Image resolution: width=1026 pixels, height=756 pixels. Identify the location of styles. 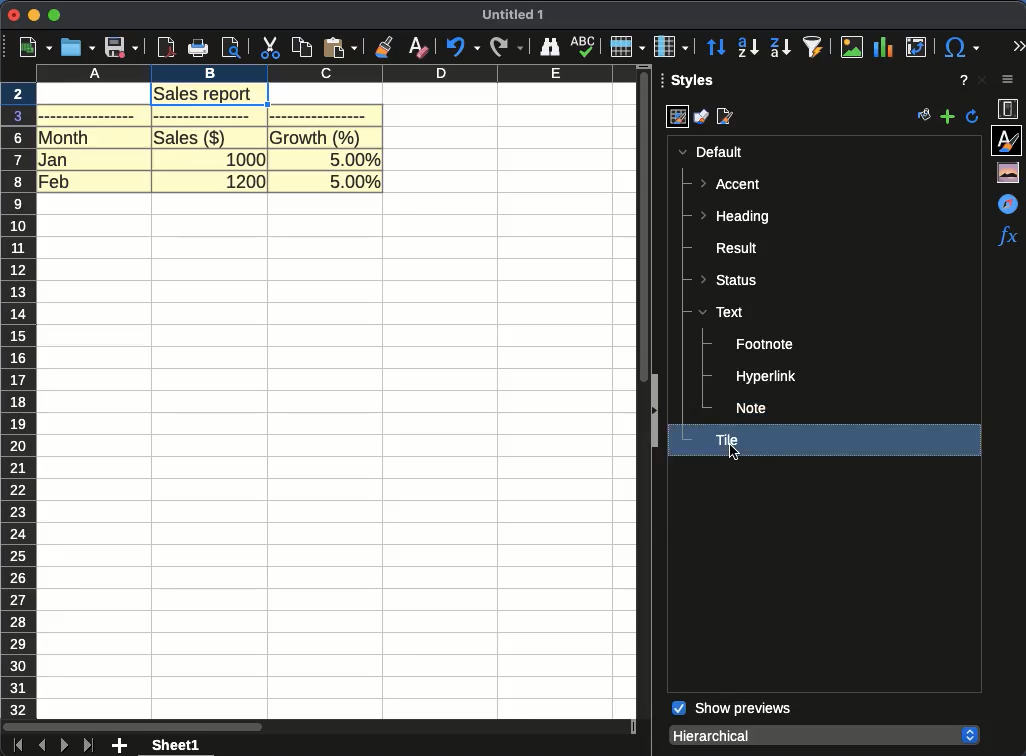
(1009, 139).